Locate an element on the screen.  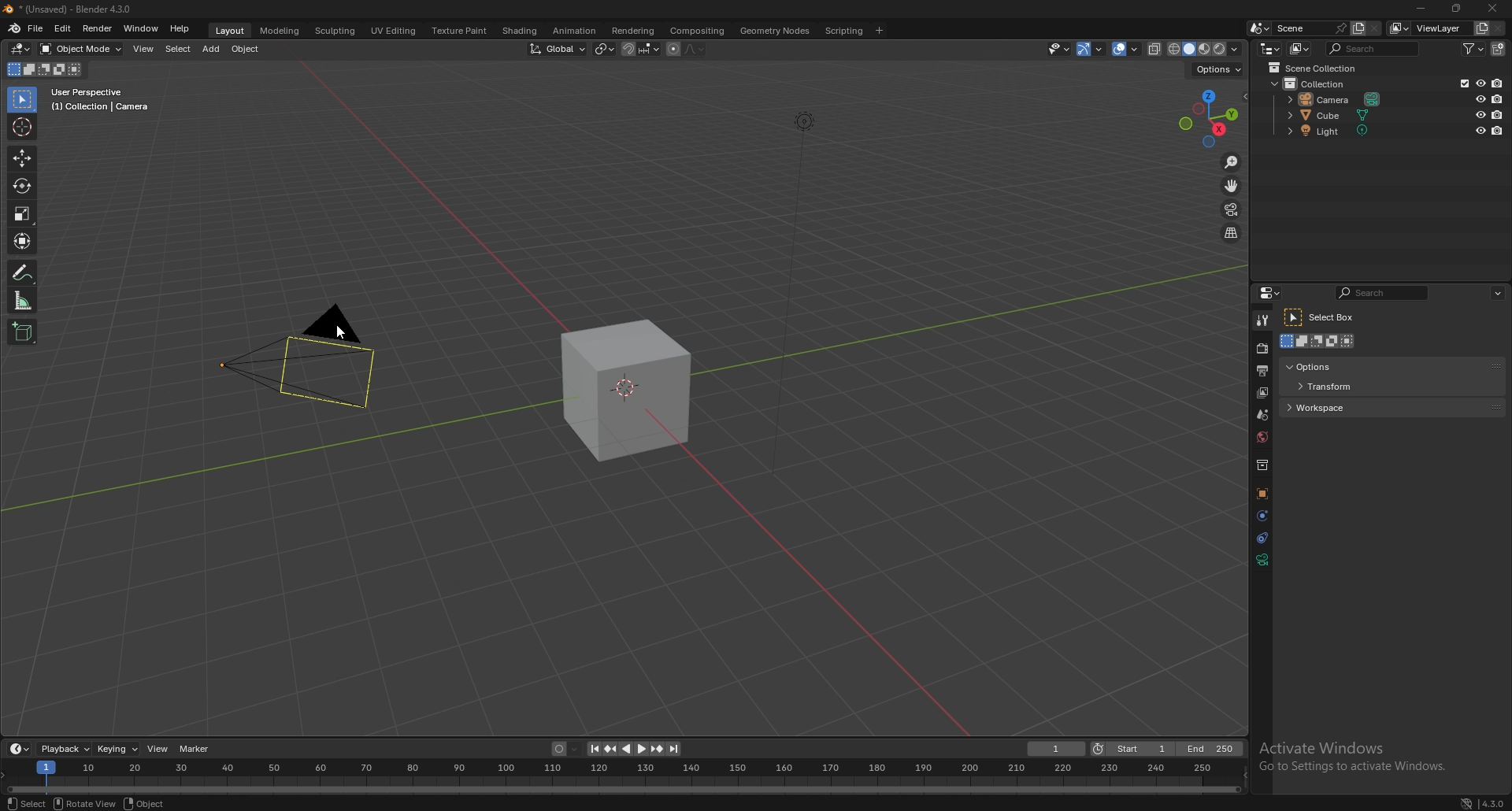
current frame is located at coordinates (1056, 750).